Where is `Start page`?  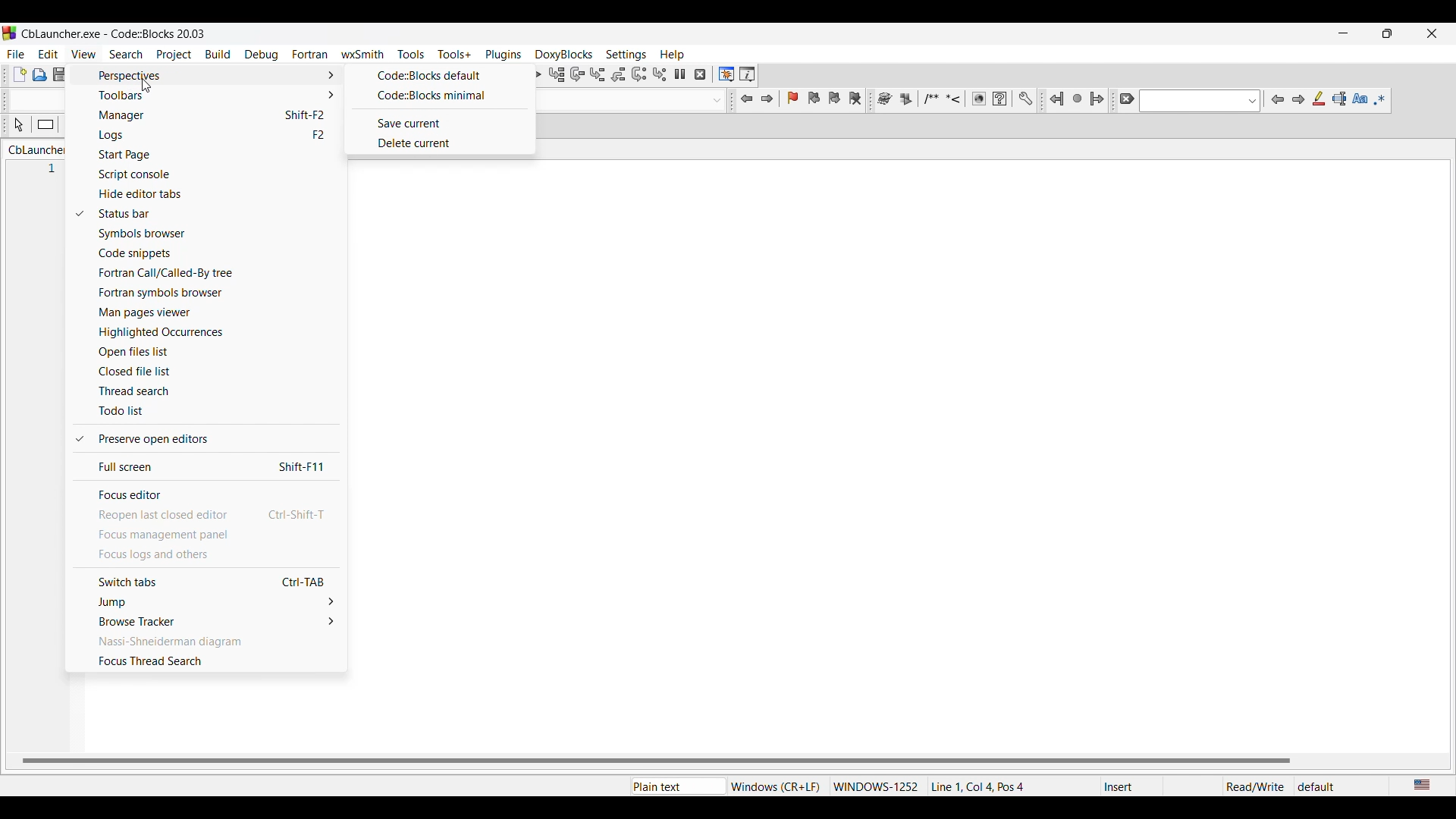
Start page is located at coordinates (218, 155).